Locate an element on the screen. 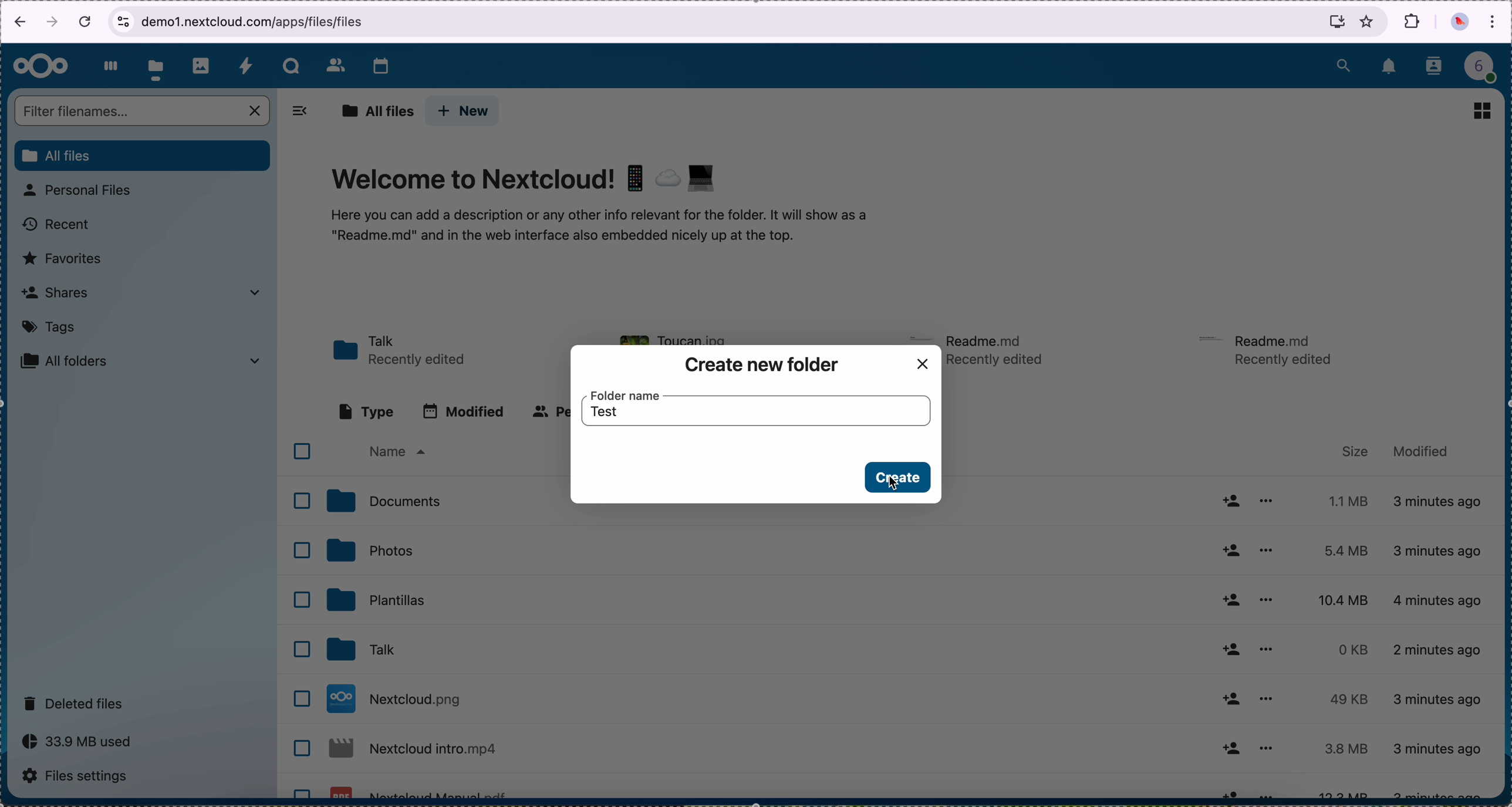 The image size is (1512, 807). readme file is located at coordinates (999, 349).